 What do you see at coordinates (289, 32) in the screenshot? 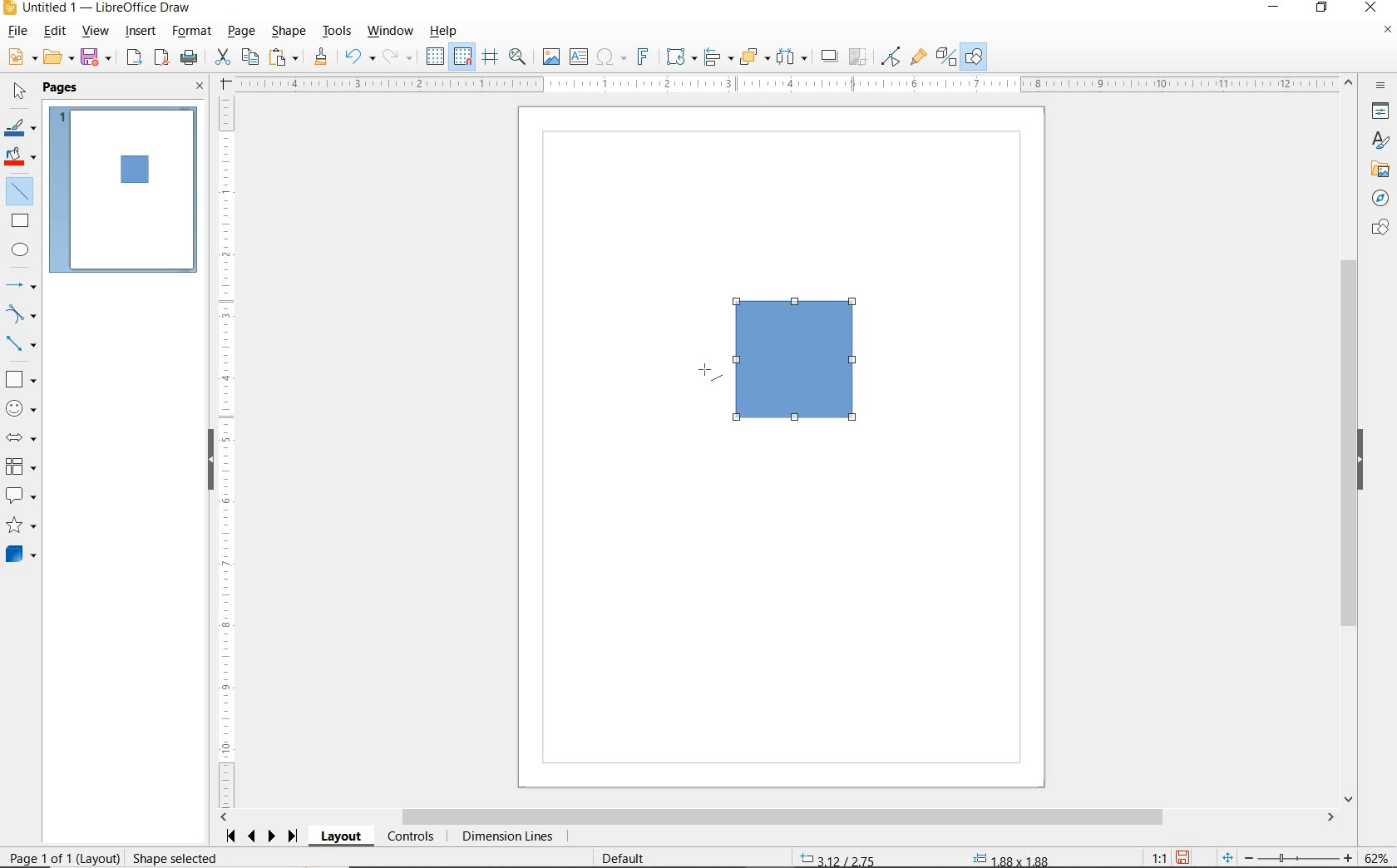
I see `SHAPE` at bounding box center [289, 32].